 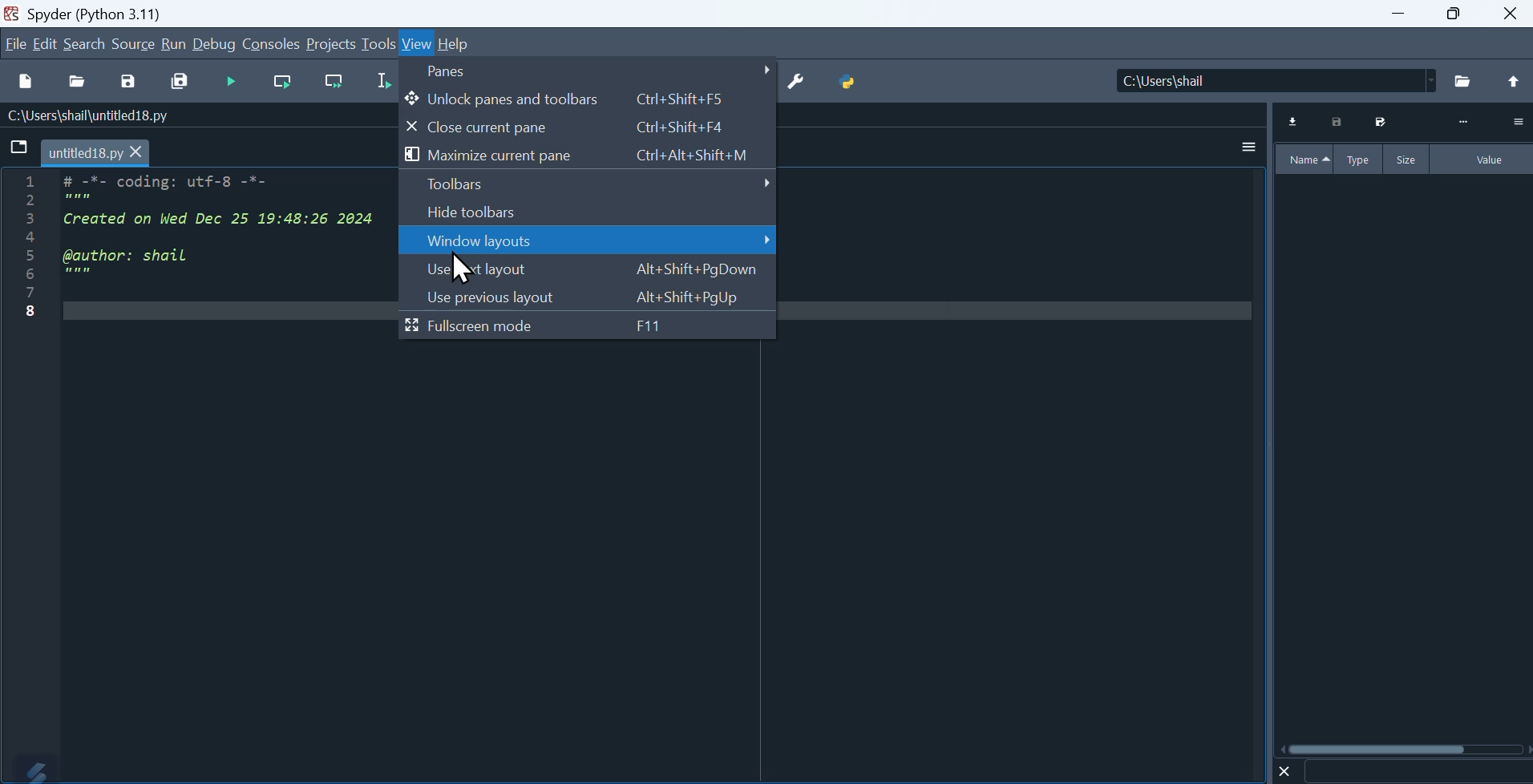 I want to click on Option, so click(x=1517, y=121).